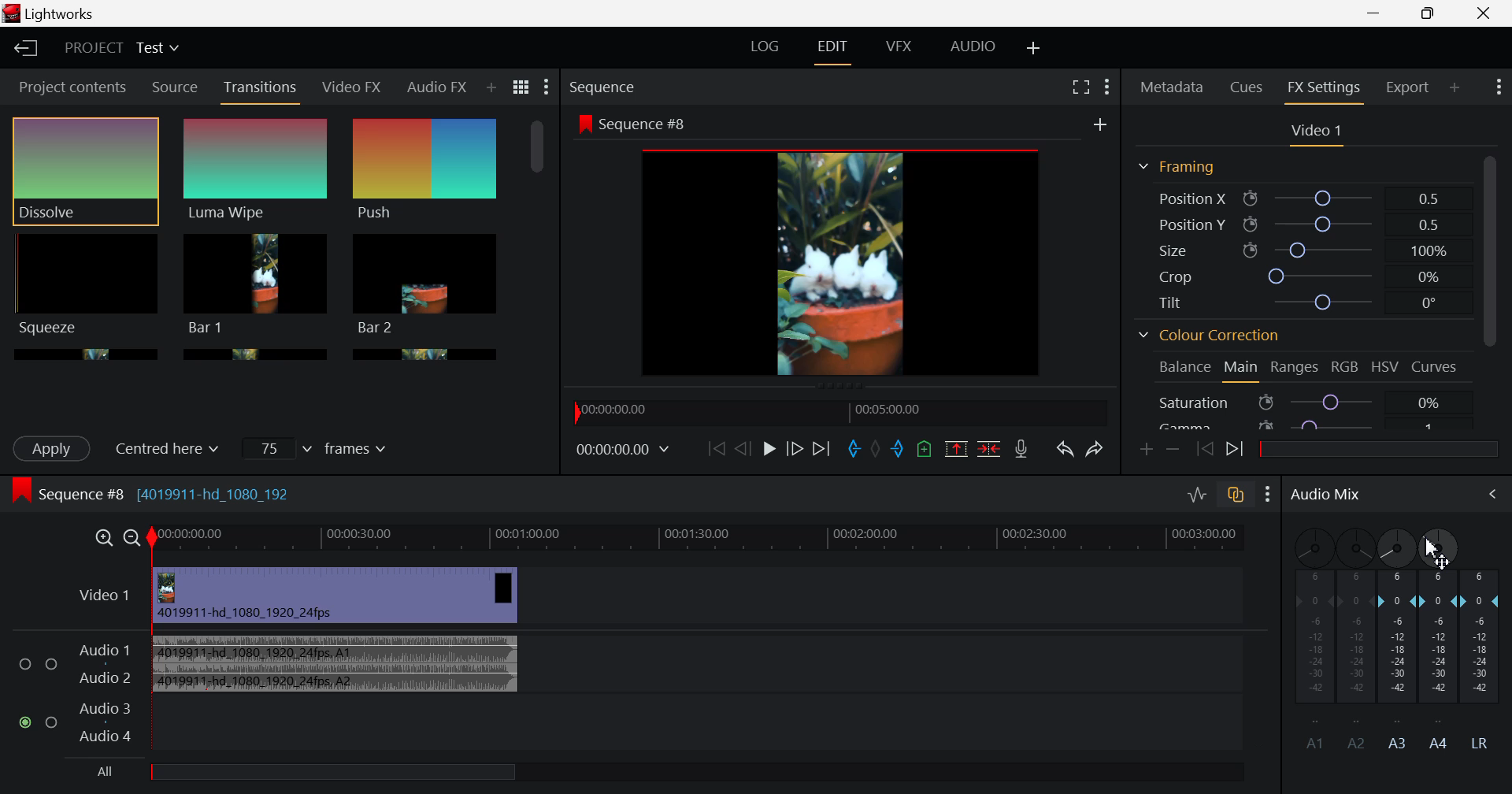 The image size is (1512, 794). What do you see at coordinates (1435, 549) in the screenshot?
I see `MOUSE_UP Cursor Position` at bounding box center [1435, 549].